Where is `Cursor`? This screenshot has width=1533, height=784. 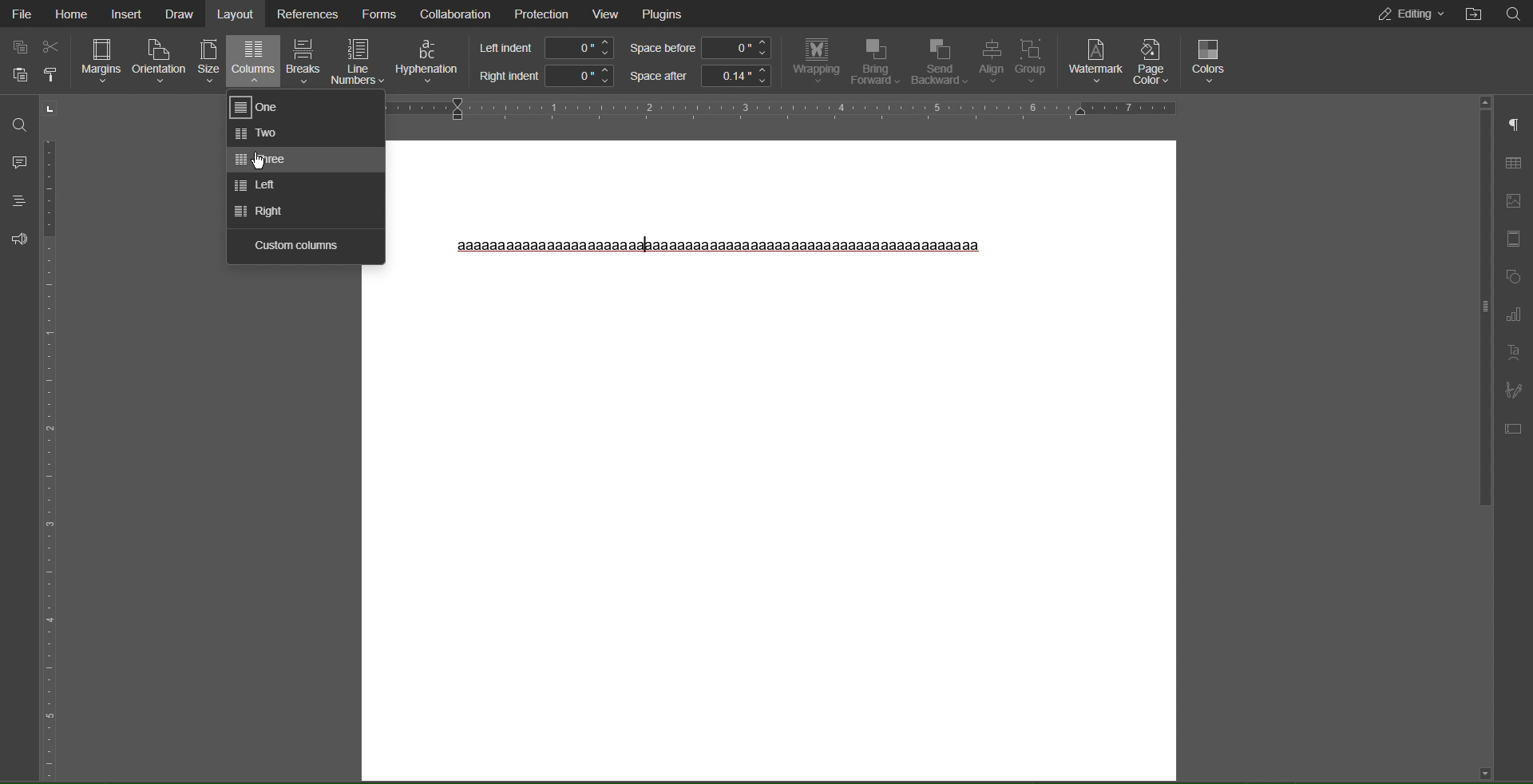
Cursor is located at coordinates (257, 161).